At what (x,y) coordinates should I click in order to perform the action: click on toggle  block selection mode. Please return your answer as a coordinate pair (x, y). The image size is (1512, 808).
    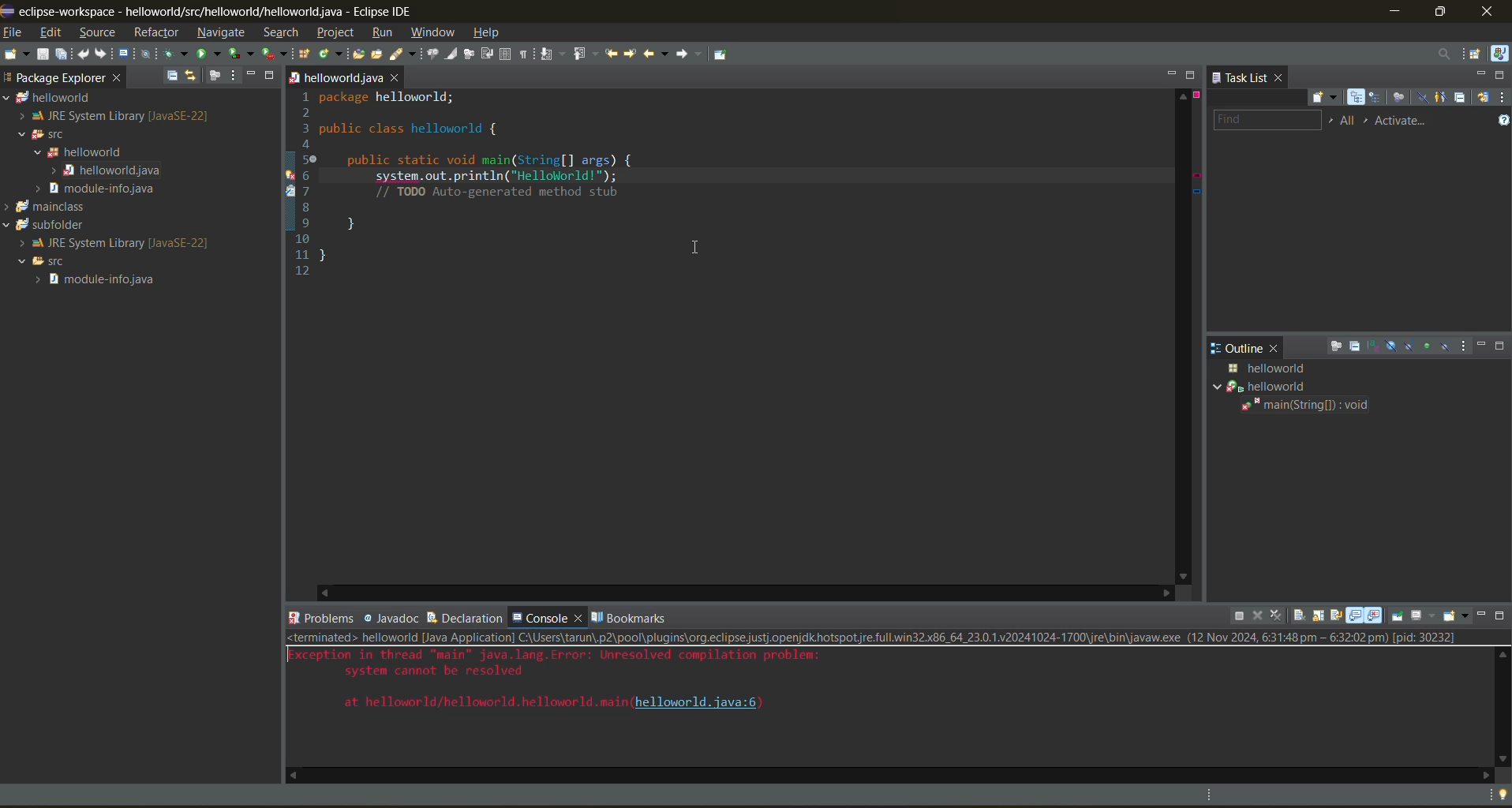
    Looking at the image, I should click on (505, 54).